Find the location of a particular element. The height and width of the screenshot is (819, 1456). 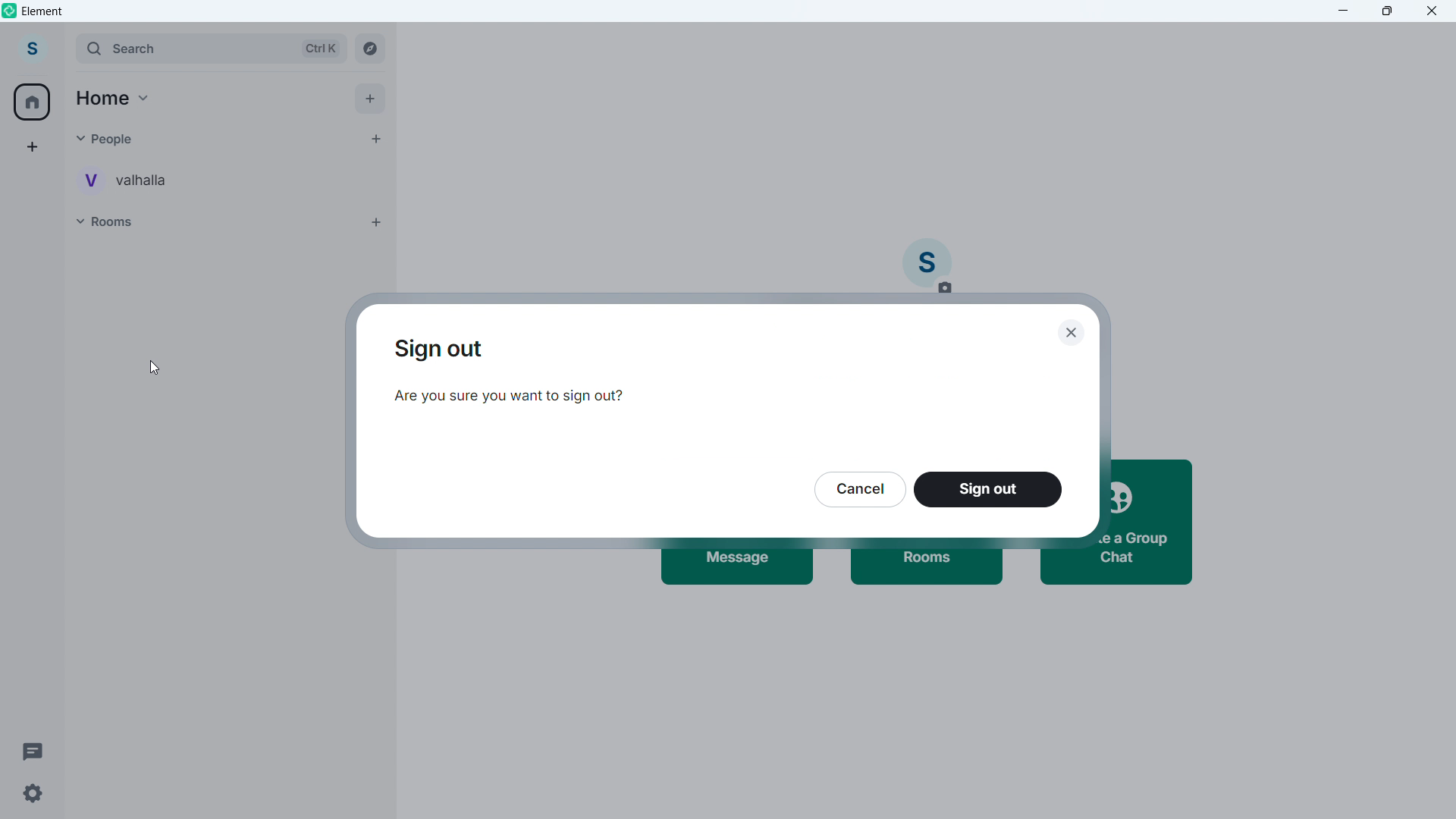

home is located at coordinates (33, 102).